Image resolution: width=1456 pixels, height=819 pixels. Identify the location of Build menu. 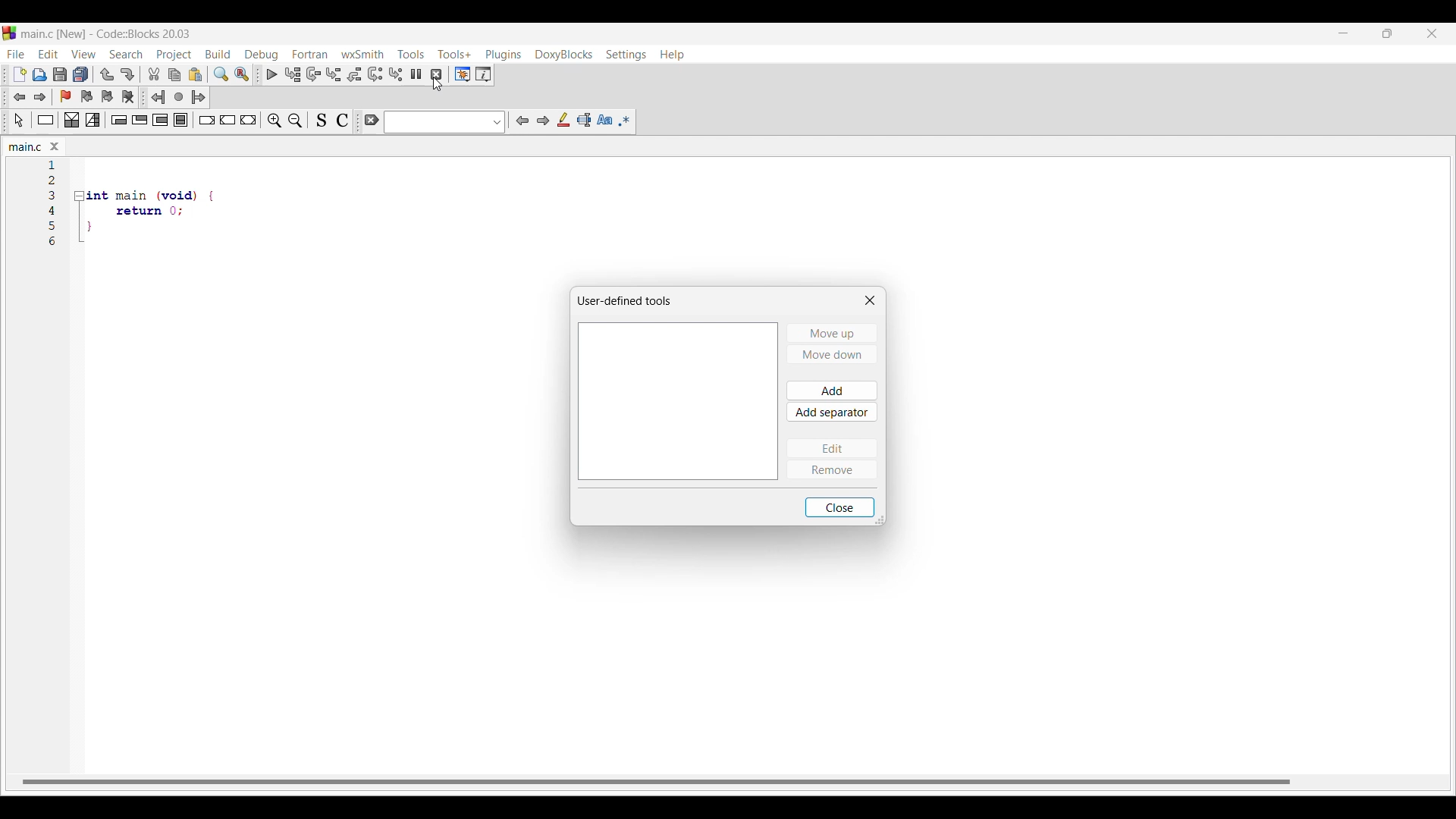
(218, 54).